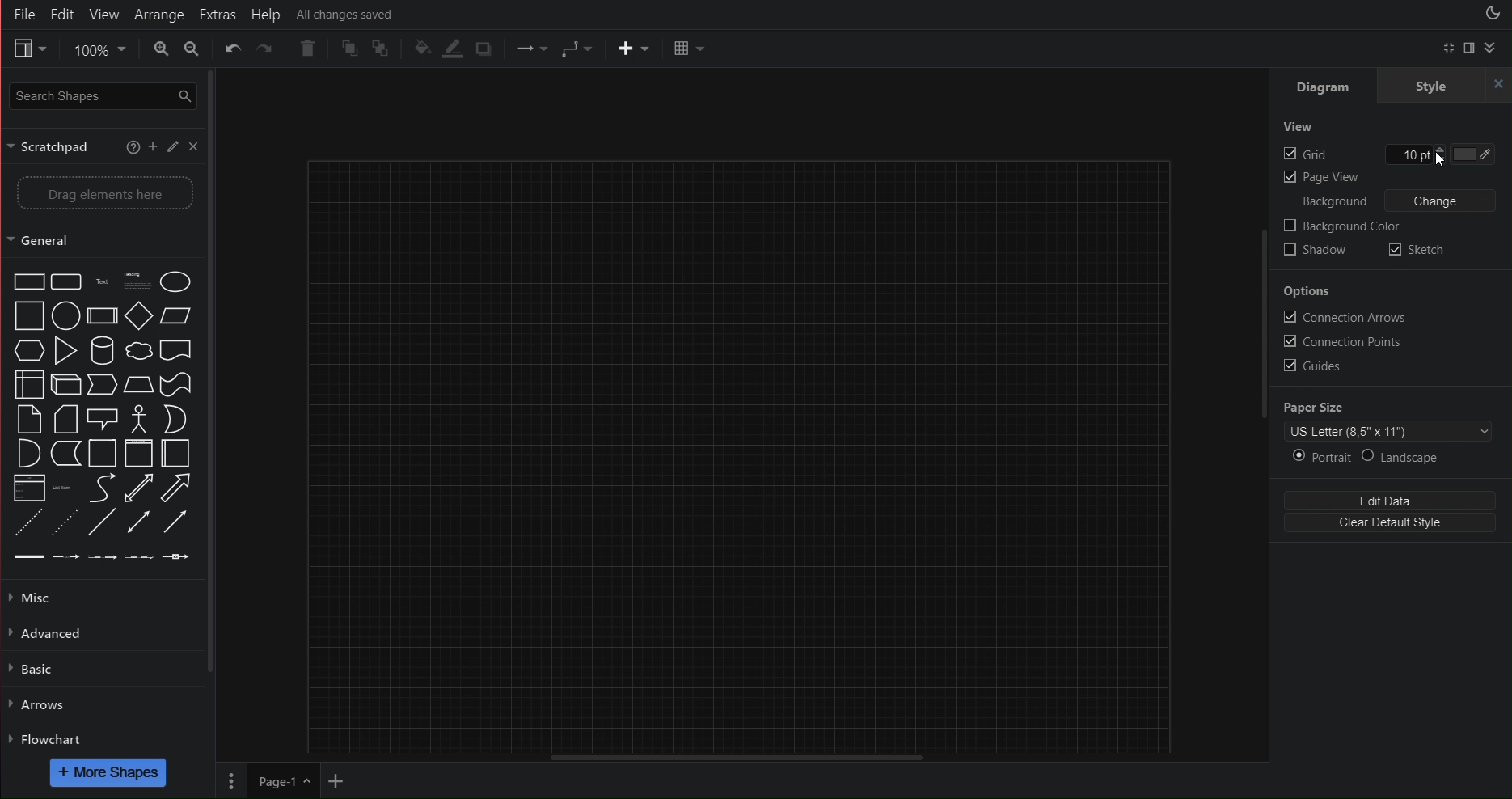  Describe the element at coordinates (63, 383) in the screenshot. I see `cube` at that location.